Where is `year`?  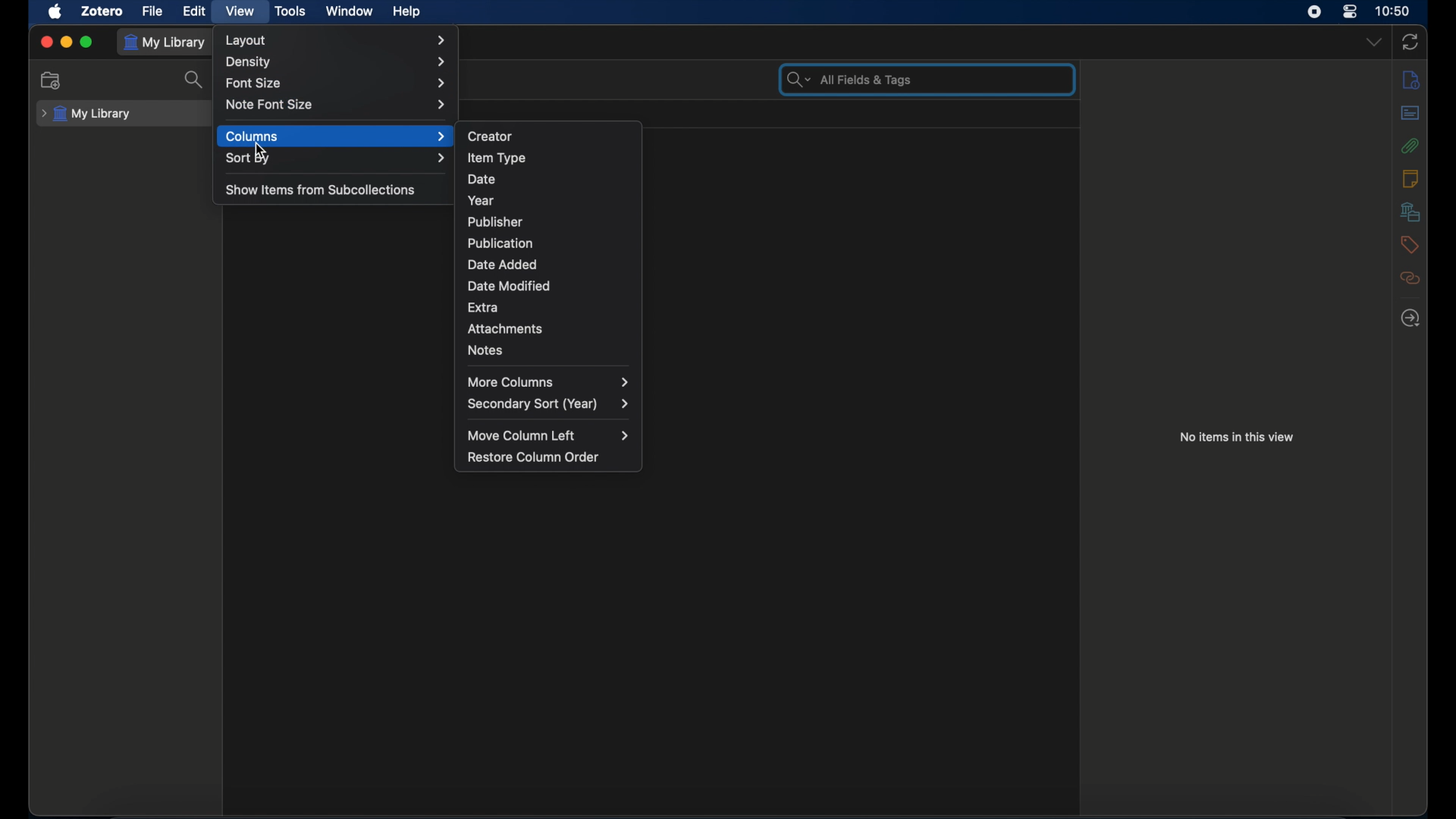 year is located at coordinates (483, 200).